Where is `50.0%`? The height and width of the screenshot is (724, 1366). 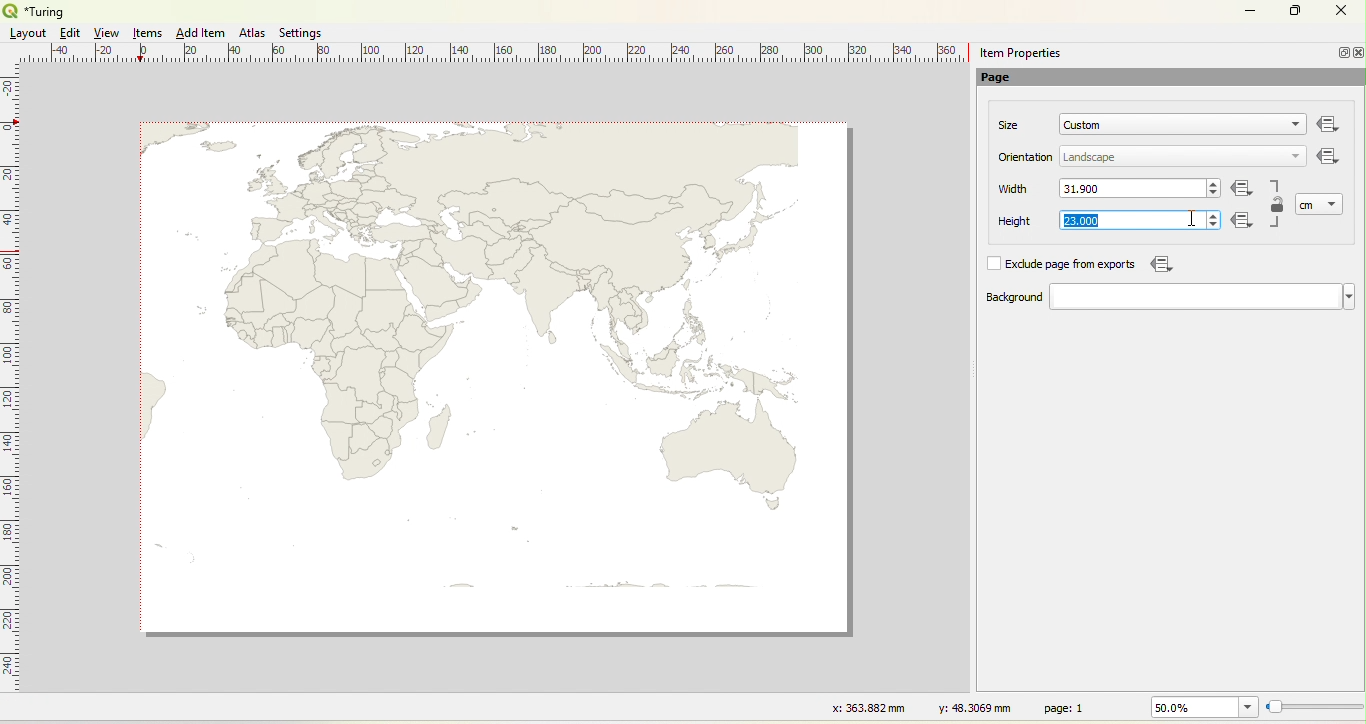 50.0% is located at coordinates (1201, 707).